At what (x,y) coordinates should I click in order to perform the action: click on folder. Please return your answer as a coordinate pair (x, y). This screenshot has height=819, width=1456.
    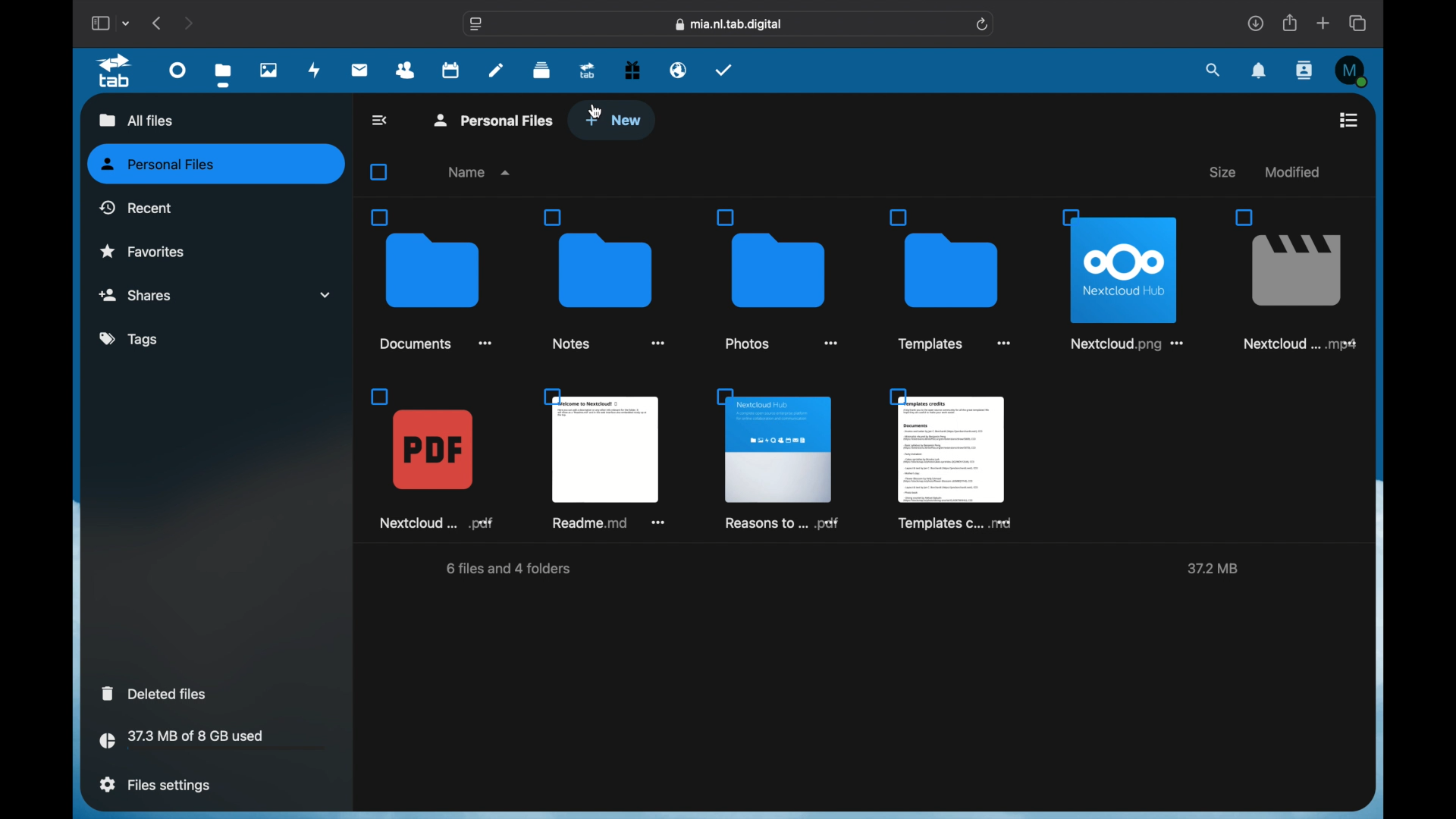
    Looking at the image, I should click on (431, 279).